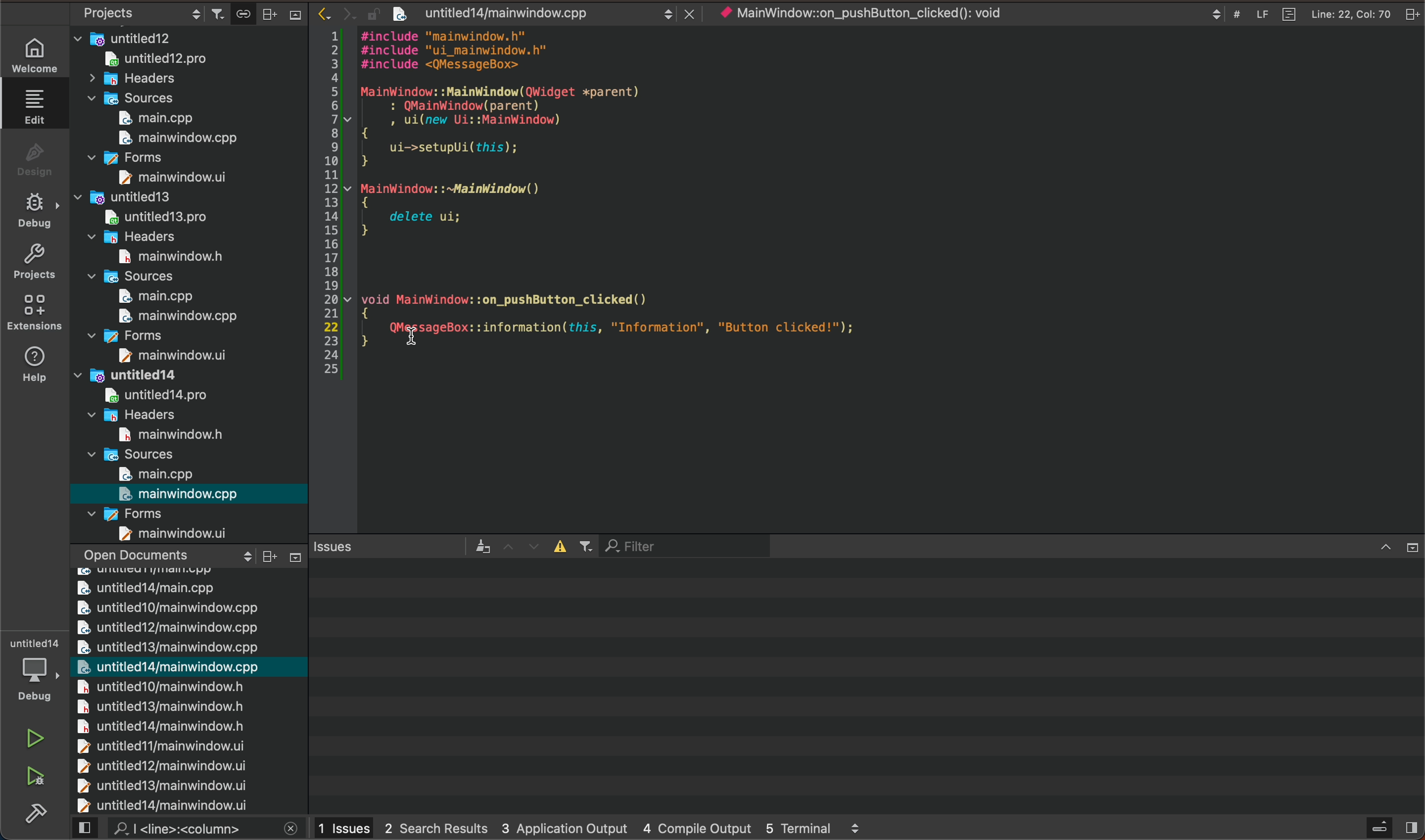 Image resolution: width=1425 pixels, height=840 pixels. What do you see at coordinates (166, 554) in the screenshot?
I see `open documents` at bounding box center [166, 554].